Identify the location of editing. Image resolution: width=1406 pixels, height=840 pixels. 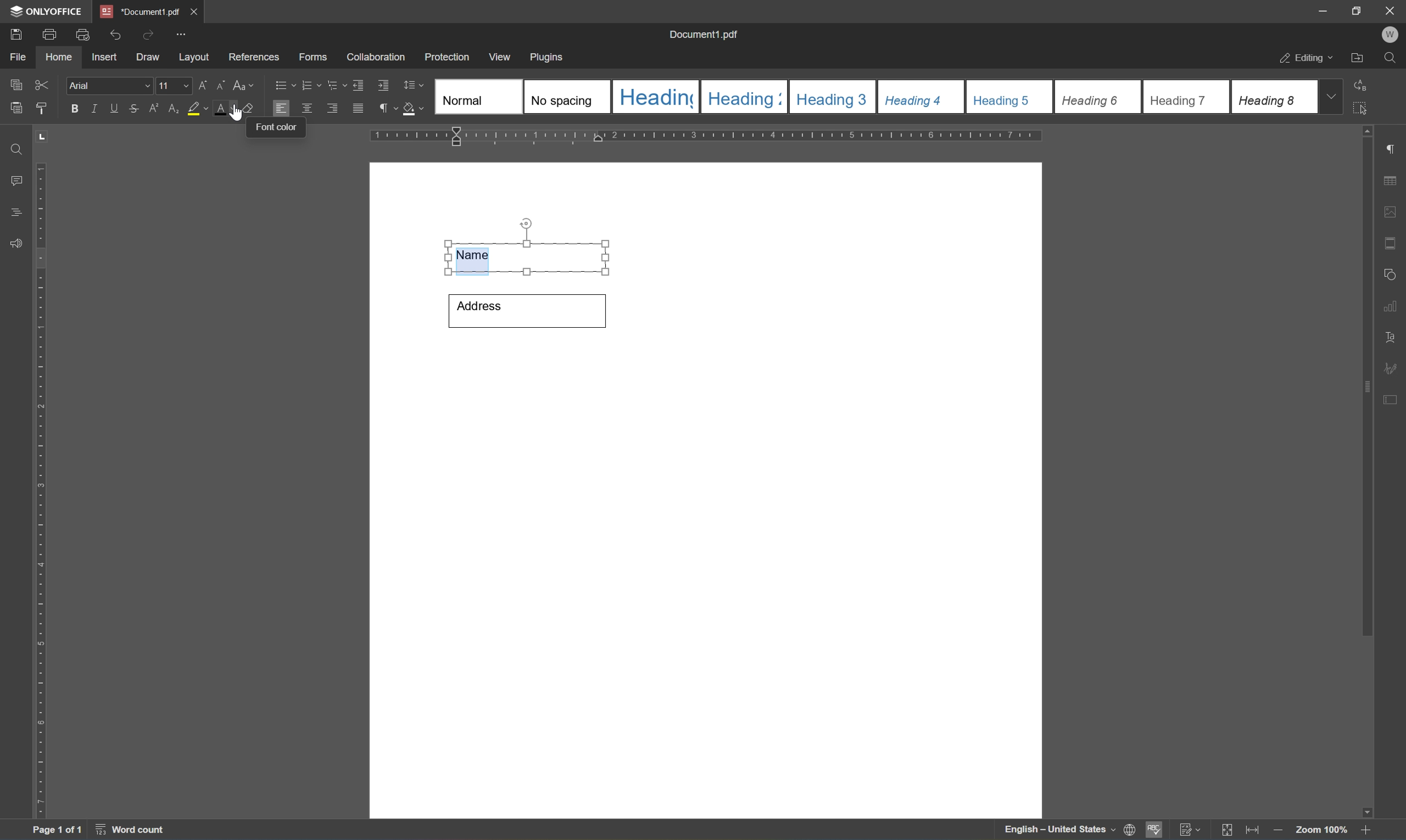
(1302, 59).